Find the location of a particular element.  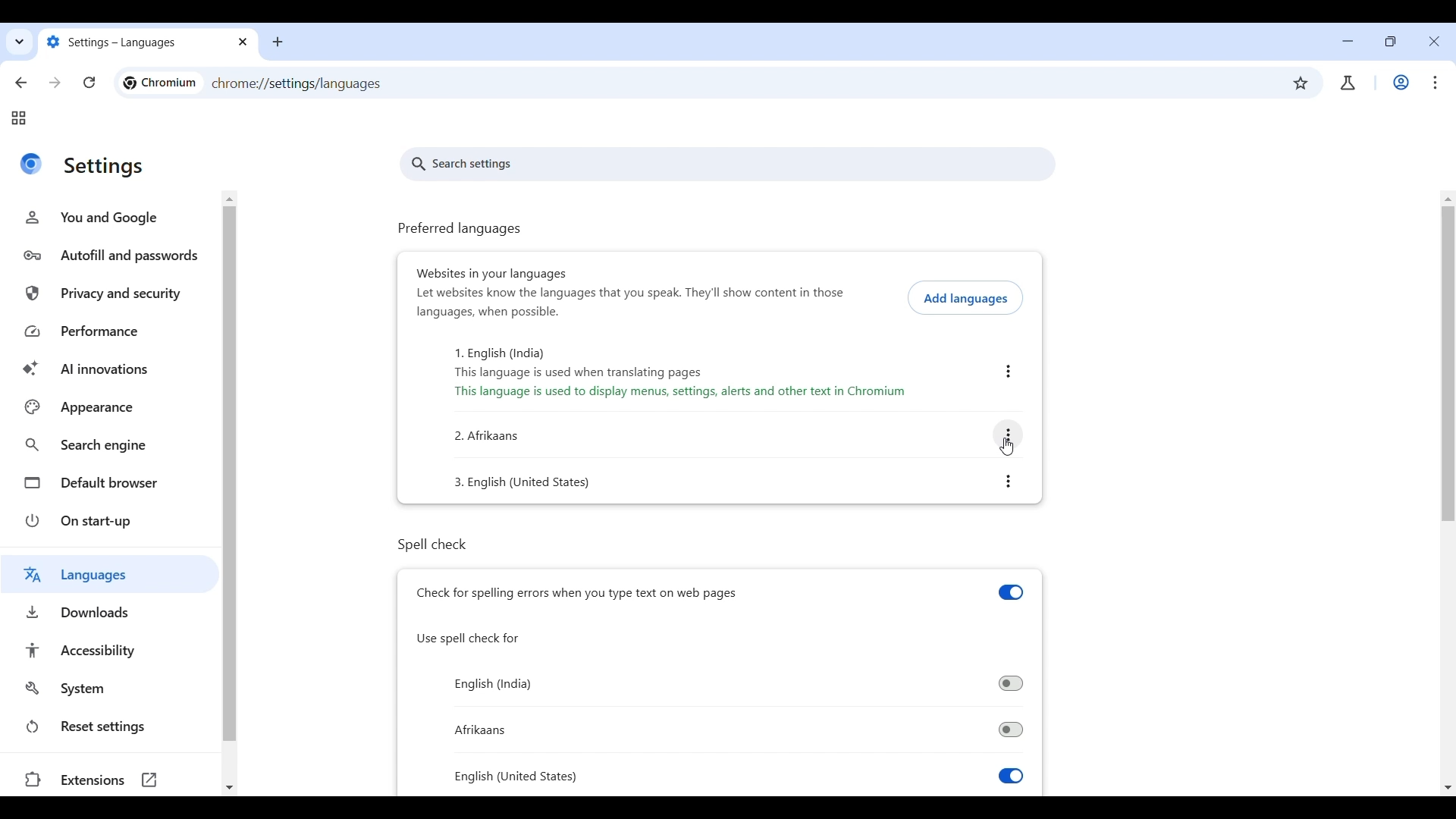

Search engine is located at coordinates (113, 446).